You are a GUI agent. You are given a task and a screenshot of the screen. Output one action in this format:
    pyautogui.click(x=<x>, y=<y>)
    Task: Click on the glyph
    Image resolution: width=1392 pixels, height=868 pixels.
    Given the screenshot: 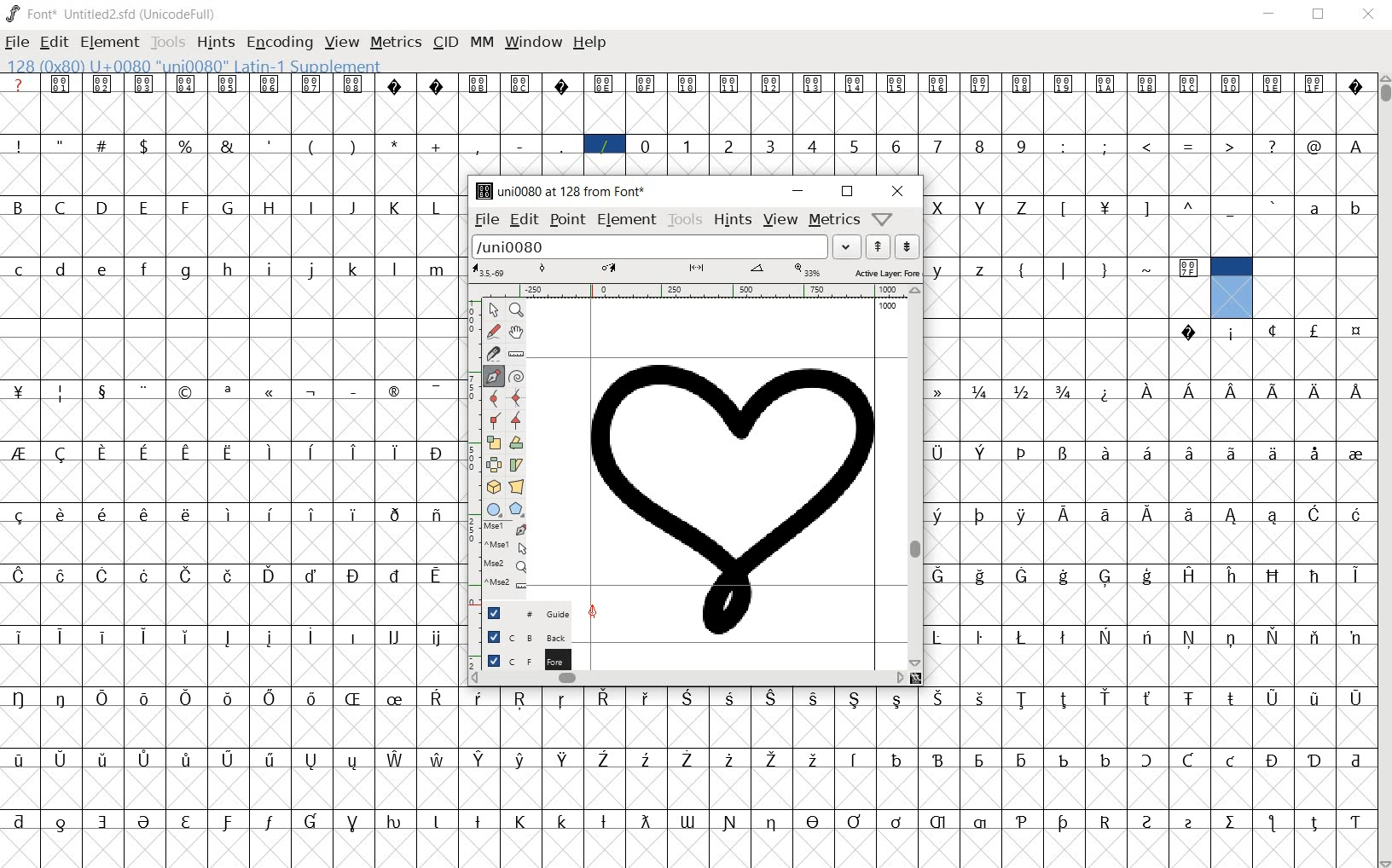 What is the action you would take?
    pyautogui.click(x=1273, y=699)
    